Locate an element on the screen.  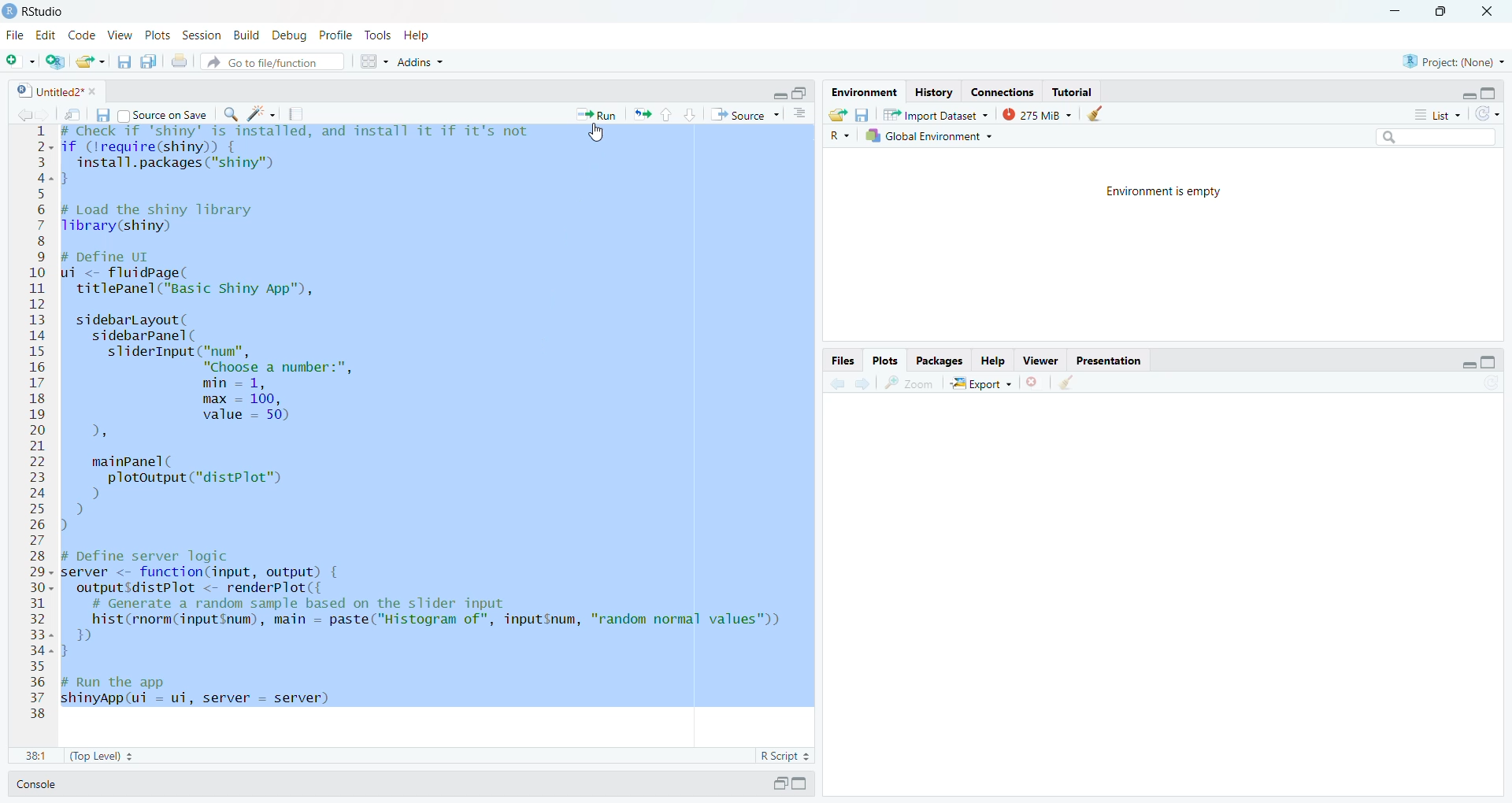
code tools is located at coordinates (262, 113).